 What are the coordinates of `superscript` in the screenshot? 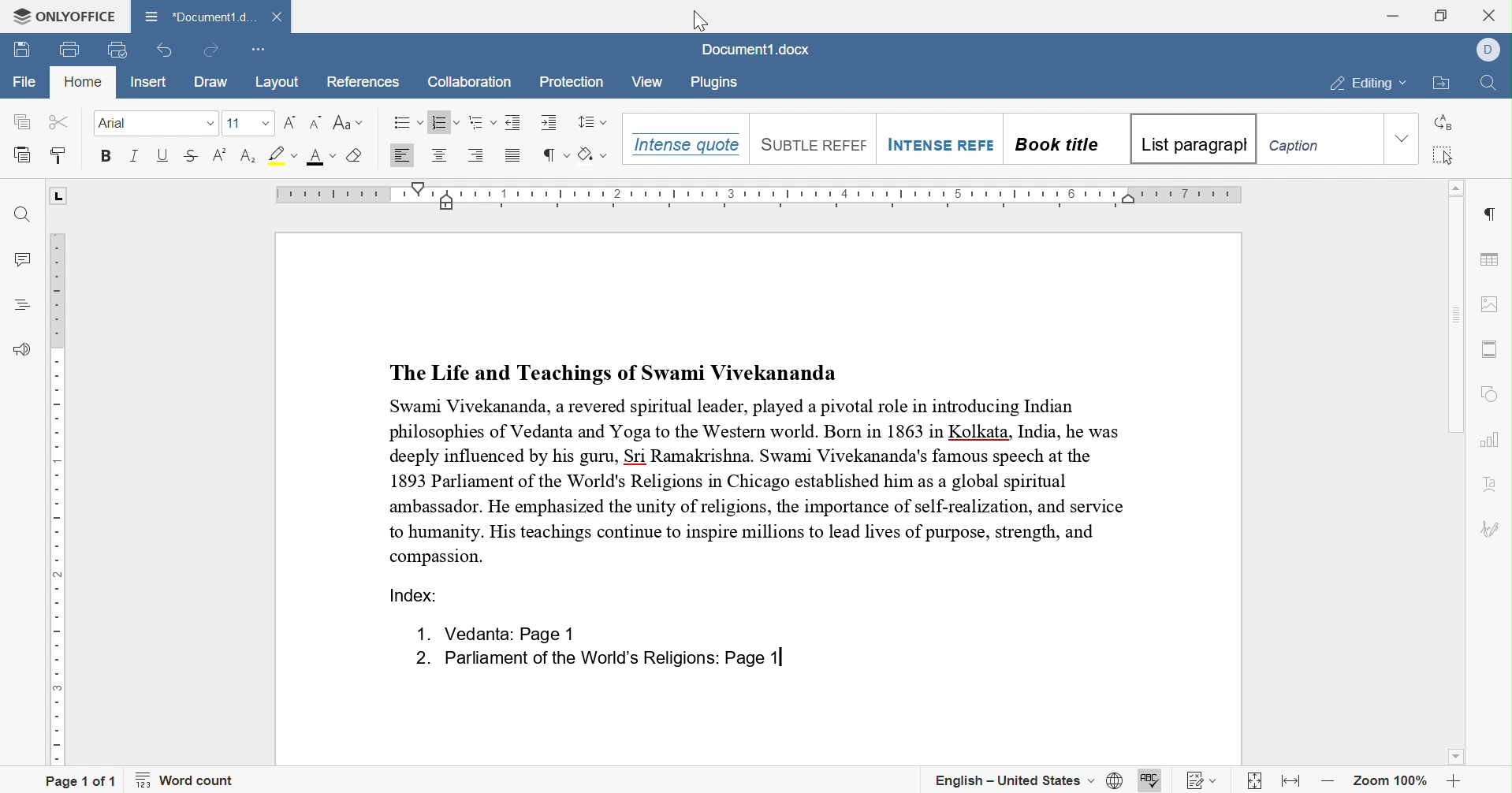 It's located at (220, 155).